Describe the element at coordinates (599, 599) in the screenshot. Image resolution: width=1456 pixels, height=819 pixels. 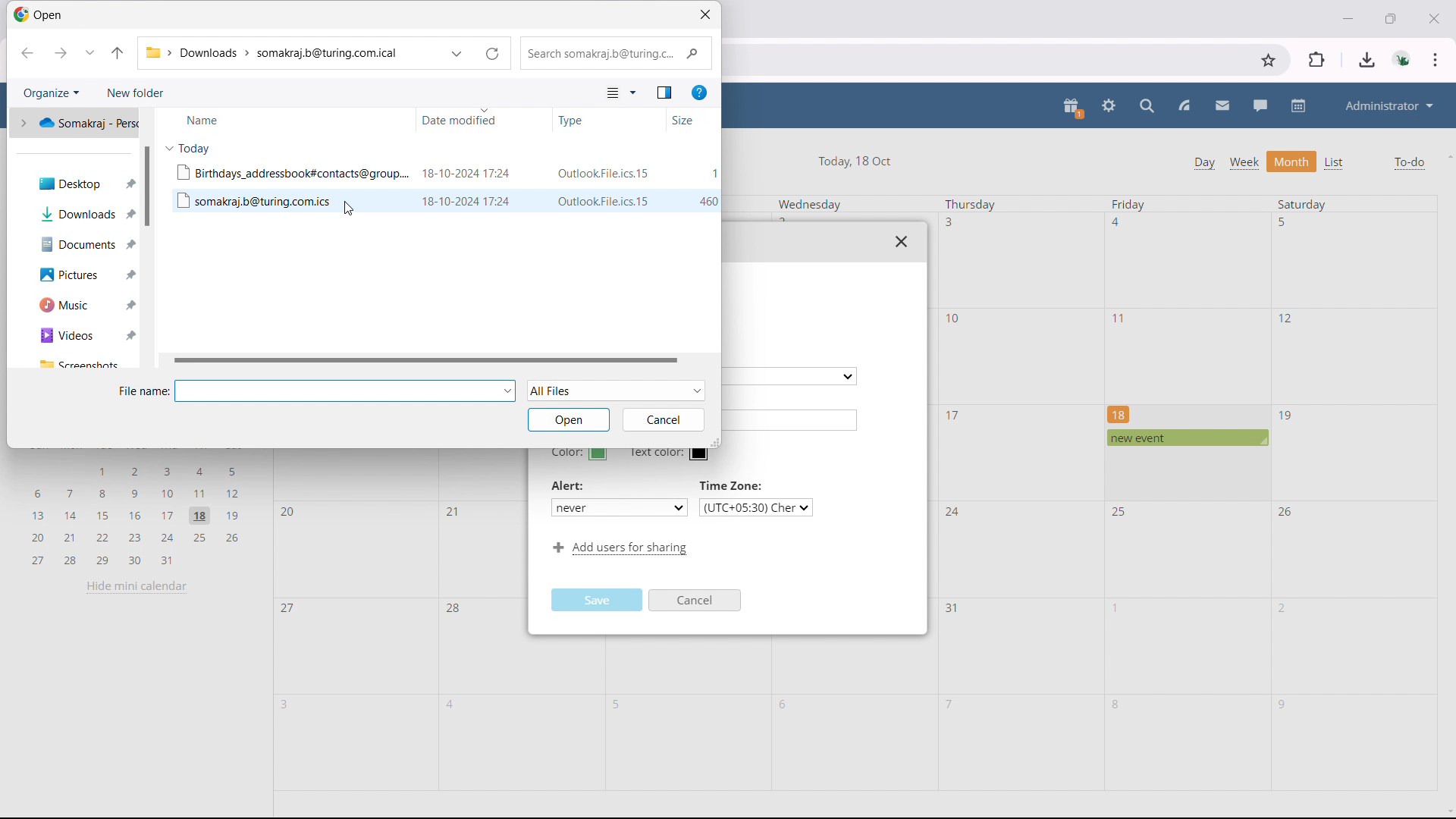
I see `Save` at that location.